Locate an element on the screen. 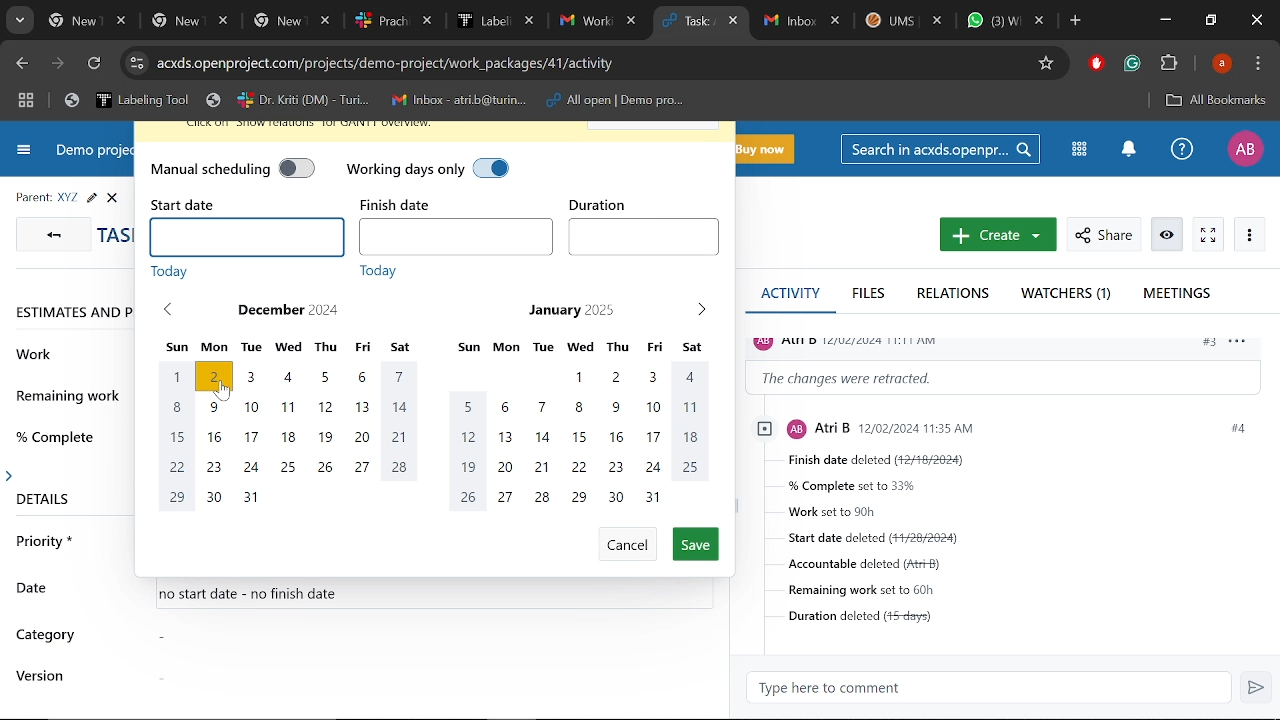 This screenshot has height=720, width=1280. Activate zen mode is located at coordinates (1208, 235).